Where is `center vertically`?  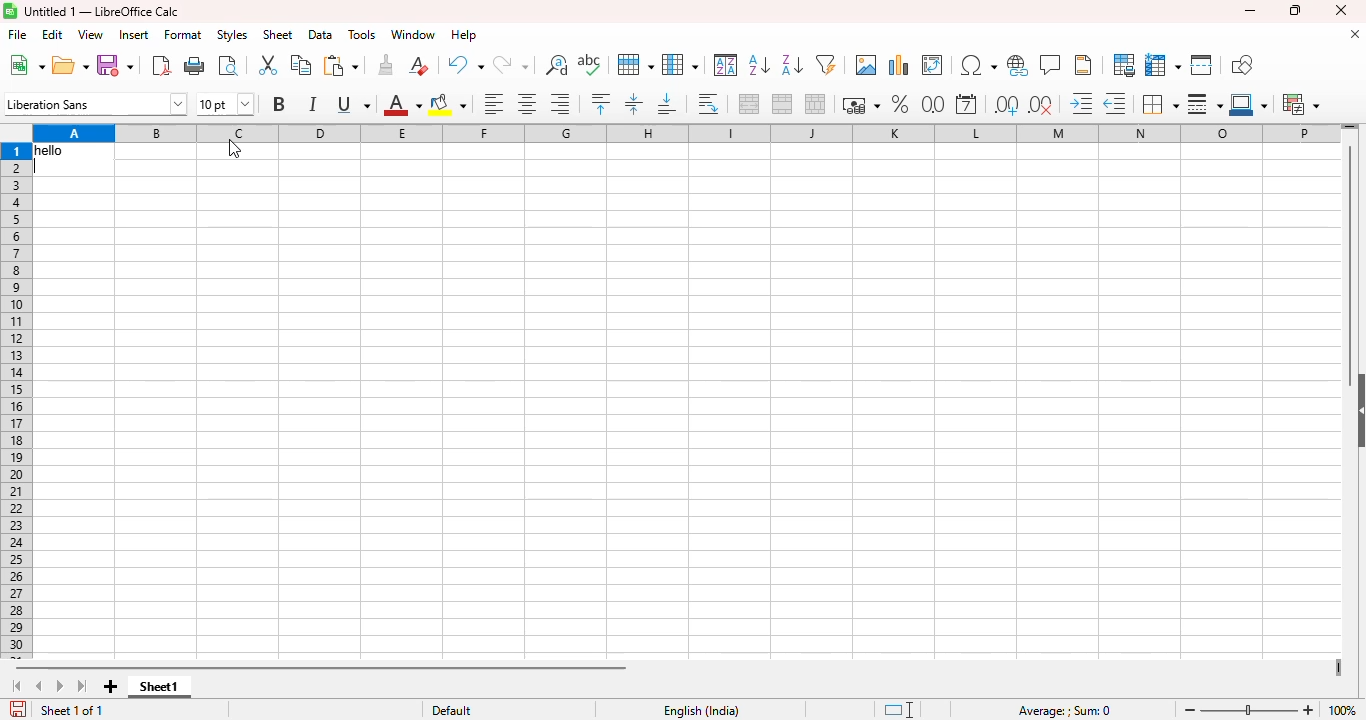
center vertically is located at coordinates (633, 104).